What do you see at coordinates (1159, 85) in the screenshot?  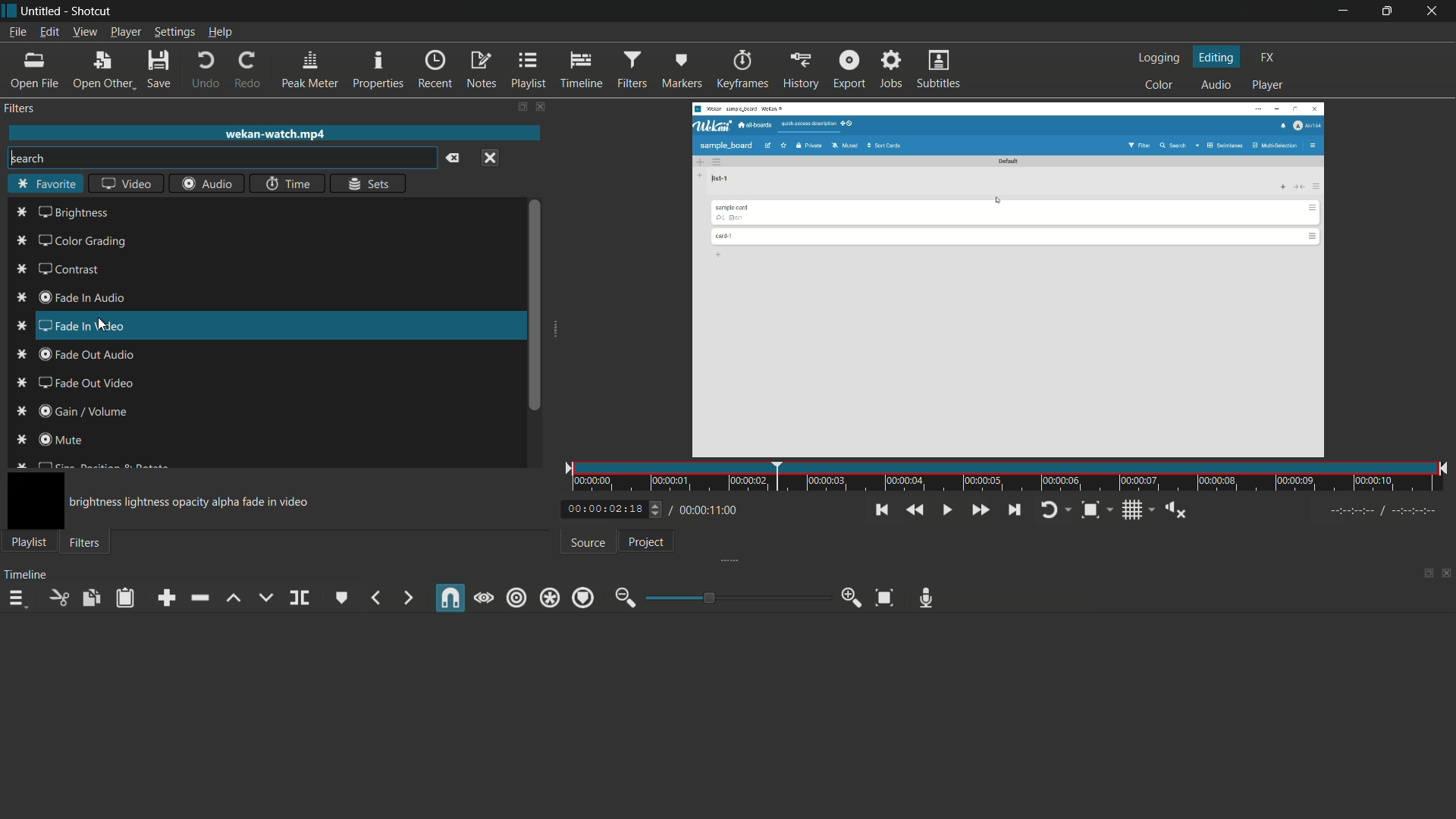 I see `color` at bounding box center [1159, 85].